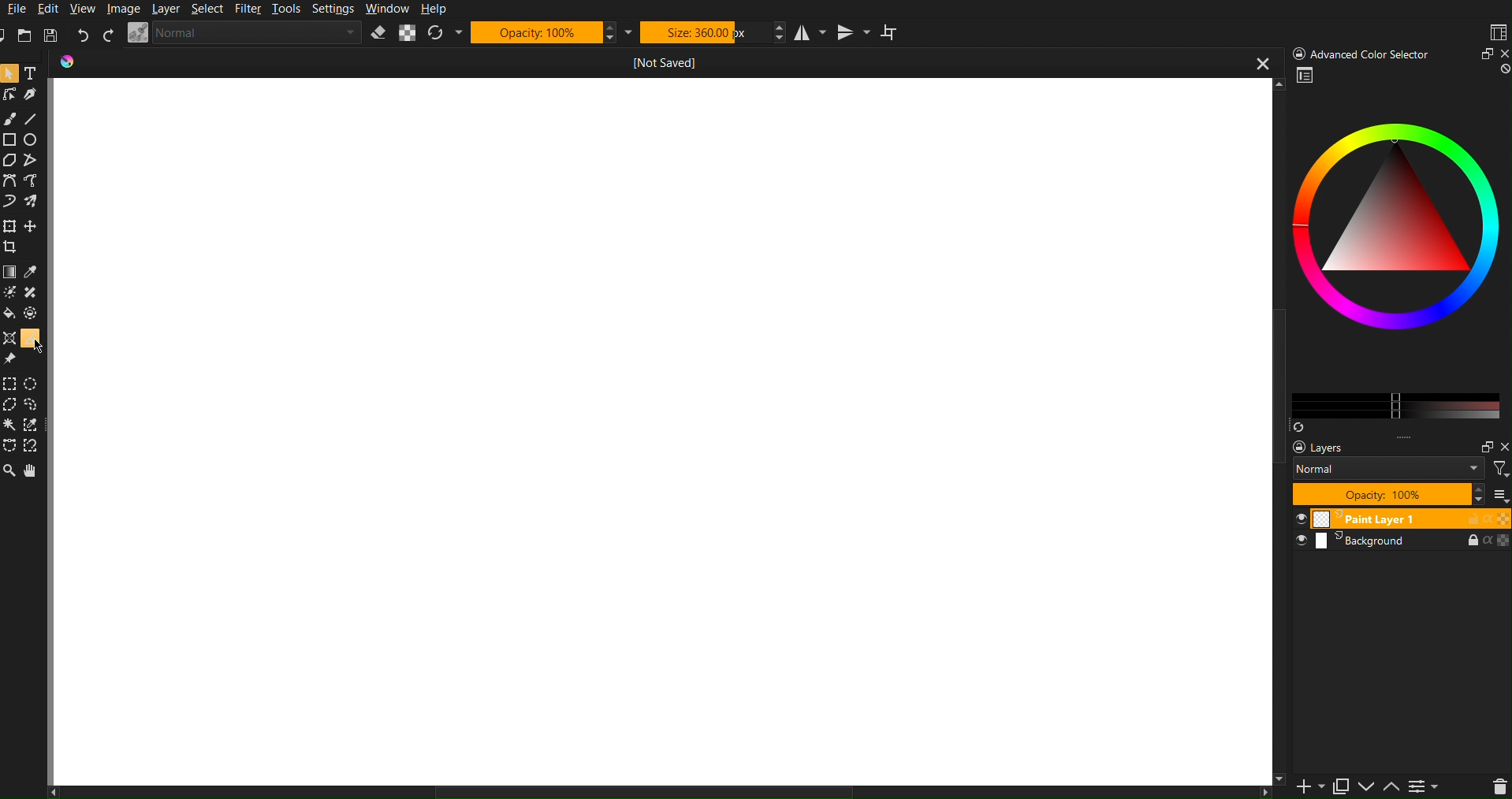  Describe the element at coordinates (10, 139) in the screenshot. I see `Square` at that location.